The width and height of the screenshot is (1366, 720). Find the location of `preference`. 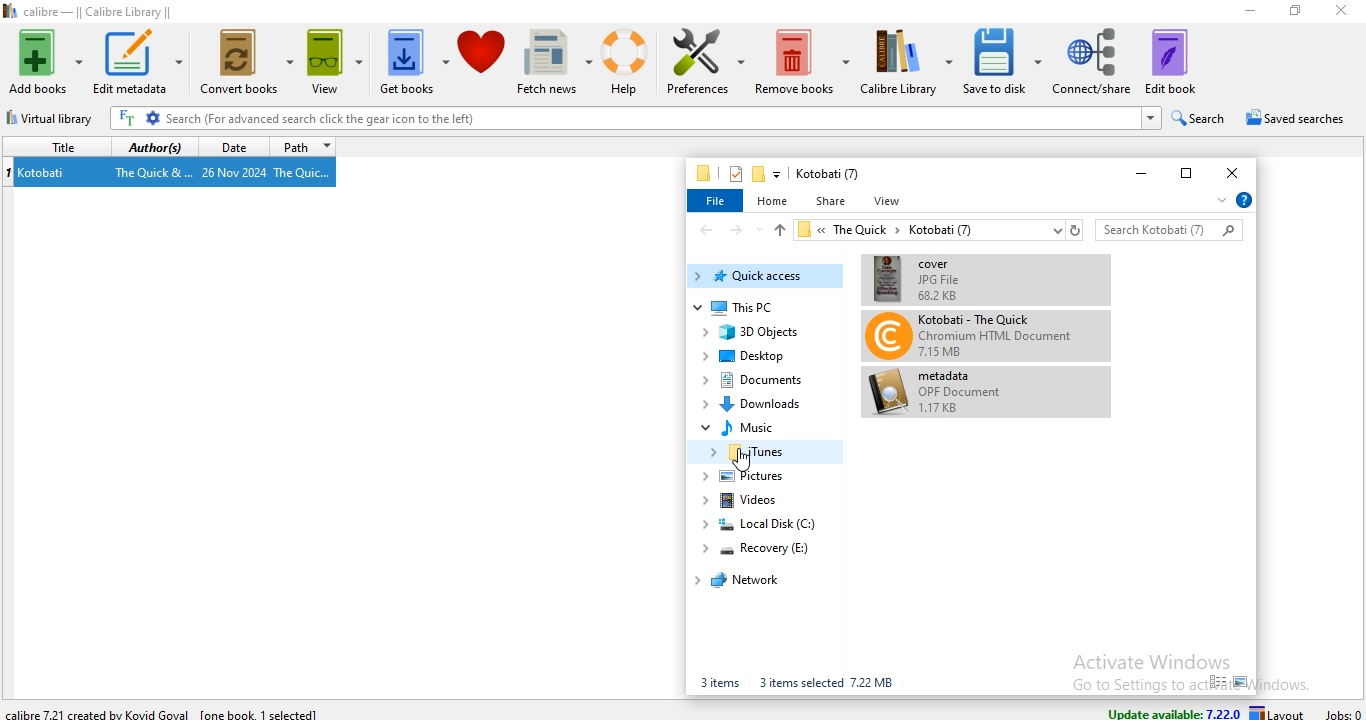

preference is located at coordinates (701, 62).